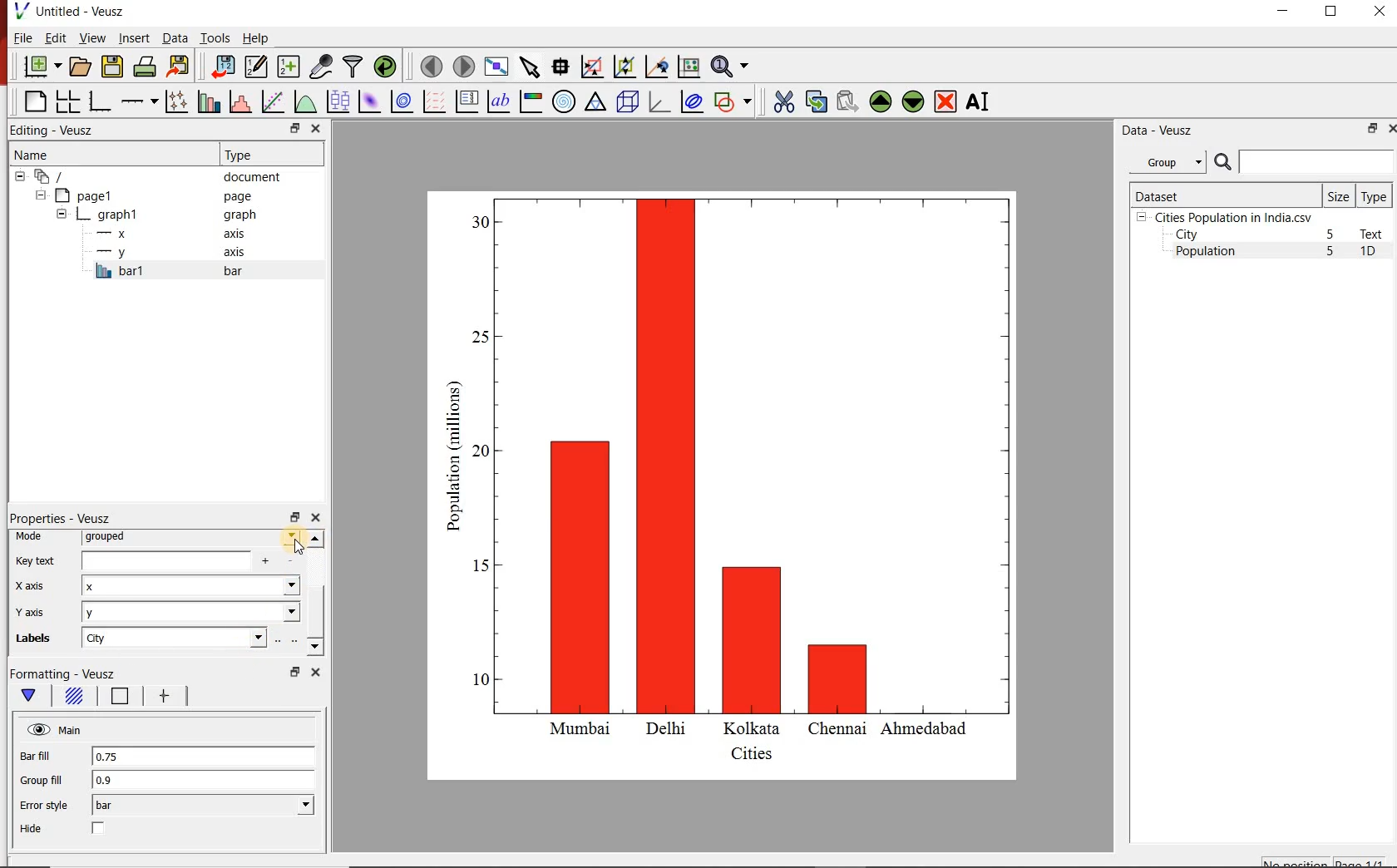 Image resolution: width=1397 pixels, height=868 pixels. What do you see at coordinates (815, 100) in the screenshot?
I see `copy the selected widget` at bounding box center [815, 100].